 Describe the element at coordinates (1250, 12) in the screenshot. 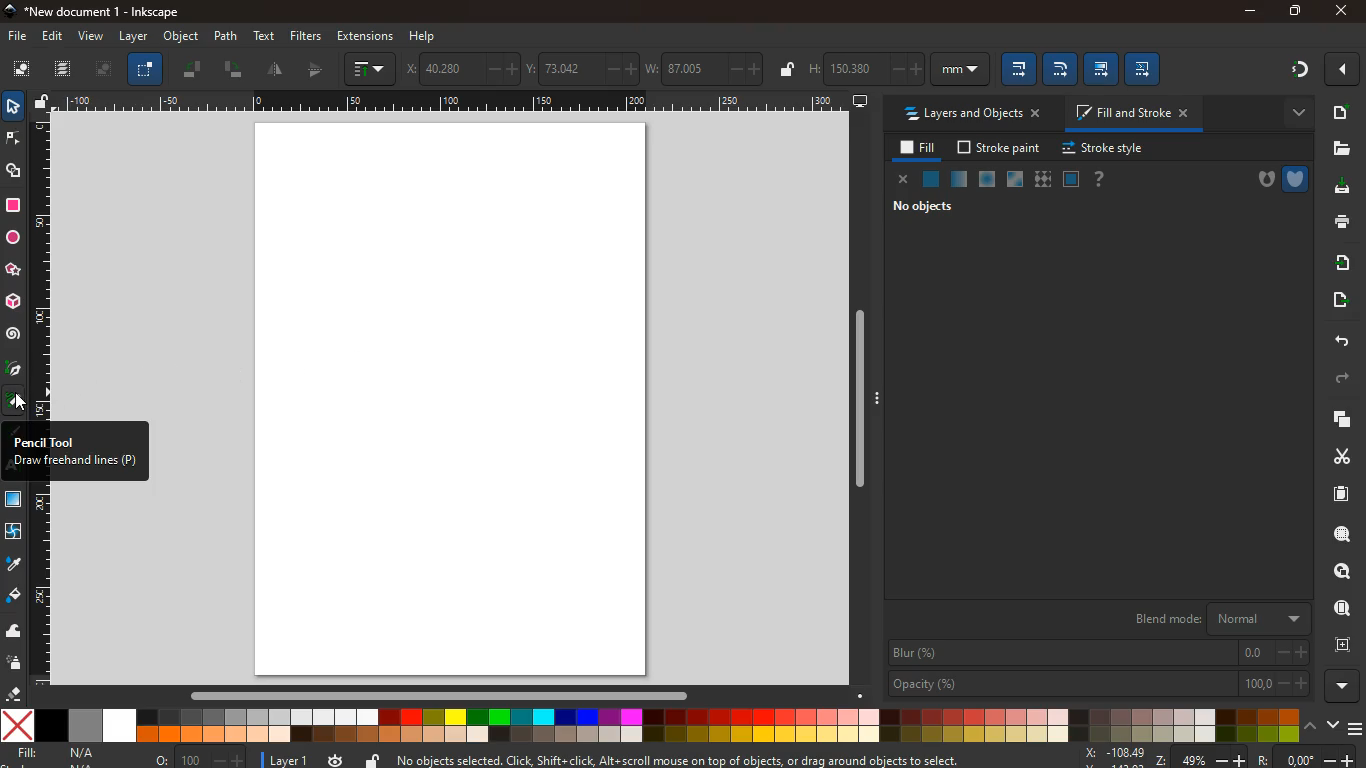

I see `minimize` at that location.